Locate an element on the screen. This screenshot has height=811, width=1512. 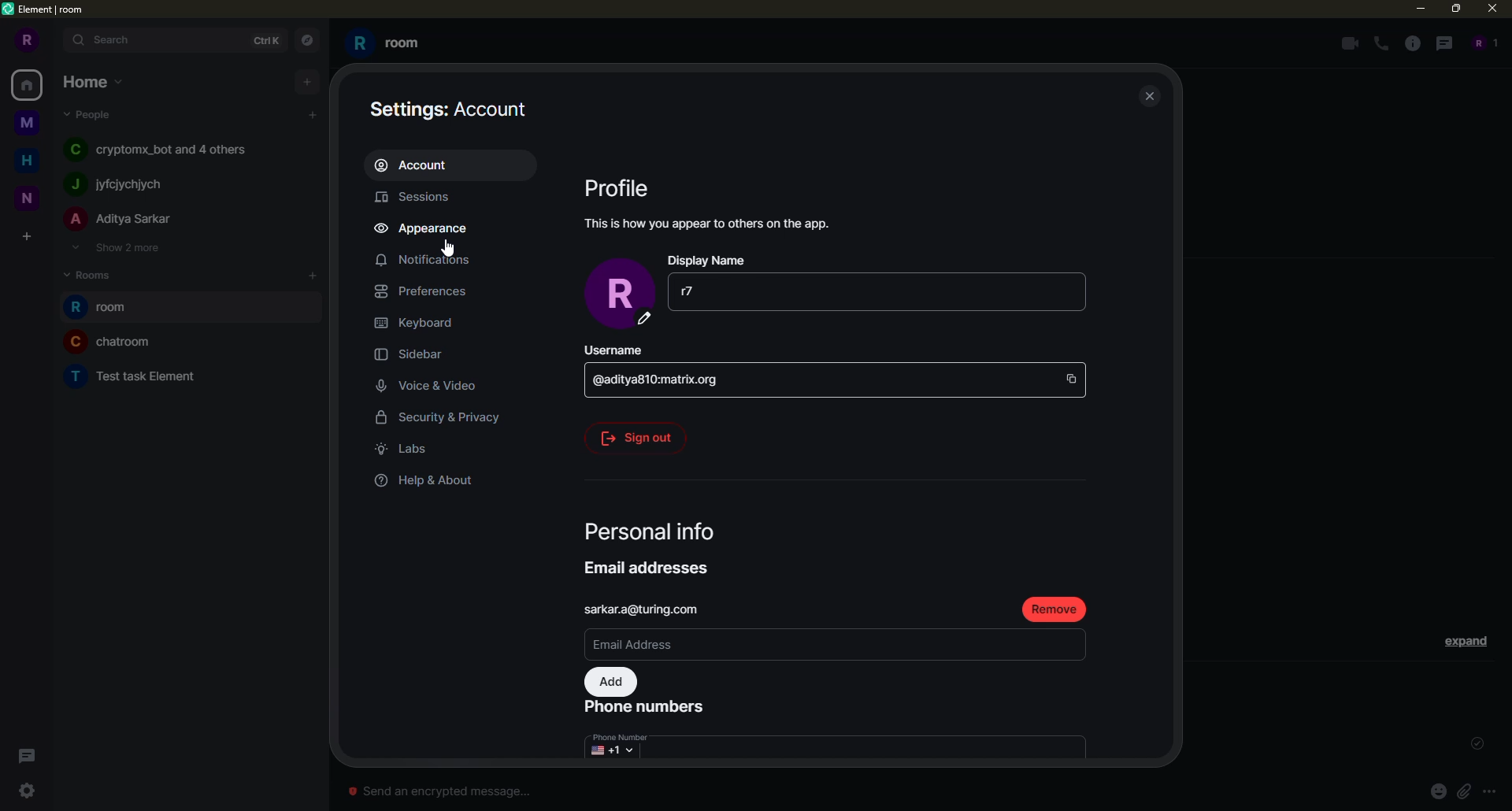
keyboard is located at coordinates (418, 323).